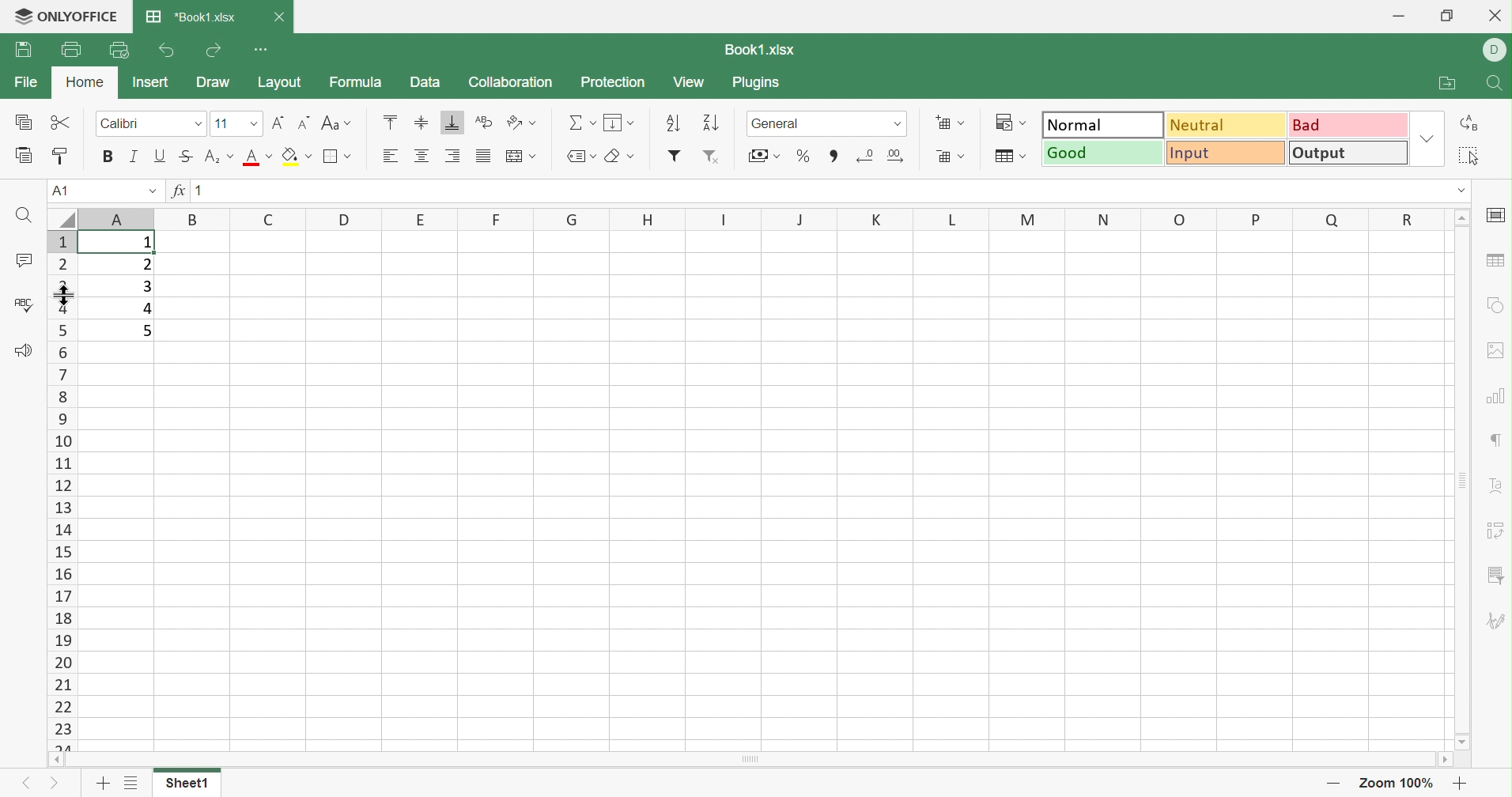 The height and width of the screenshot is (797, 1512). I want to click on Named ranges, so click(573, 159).